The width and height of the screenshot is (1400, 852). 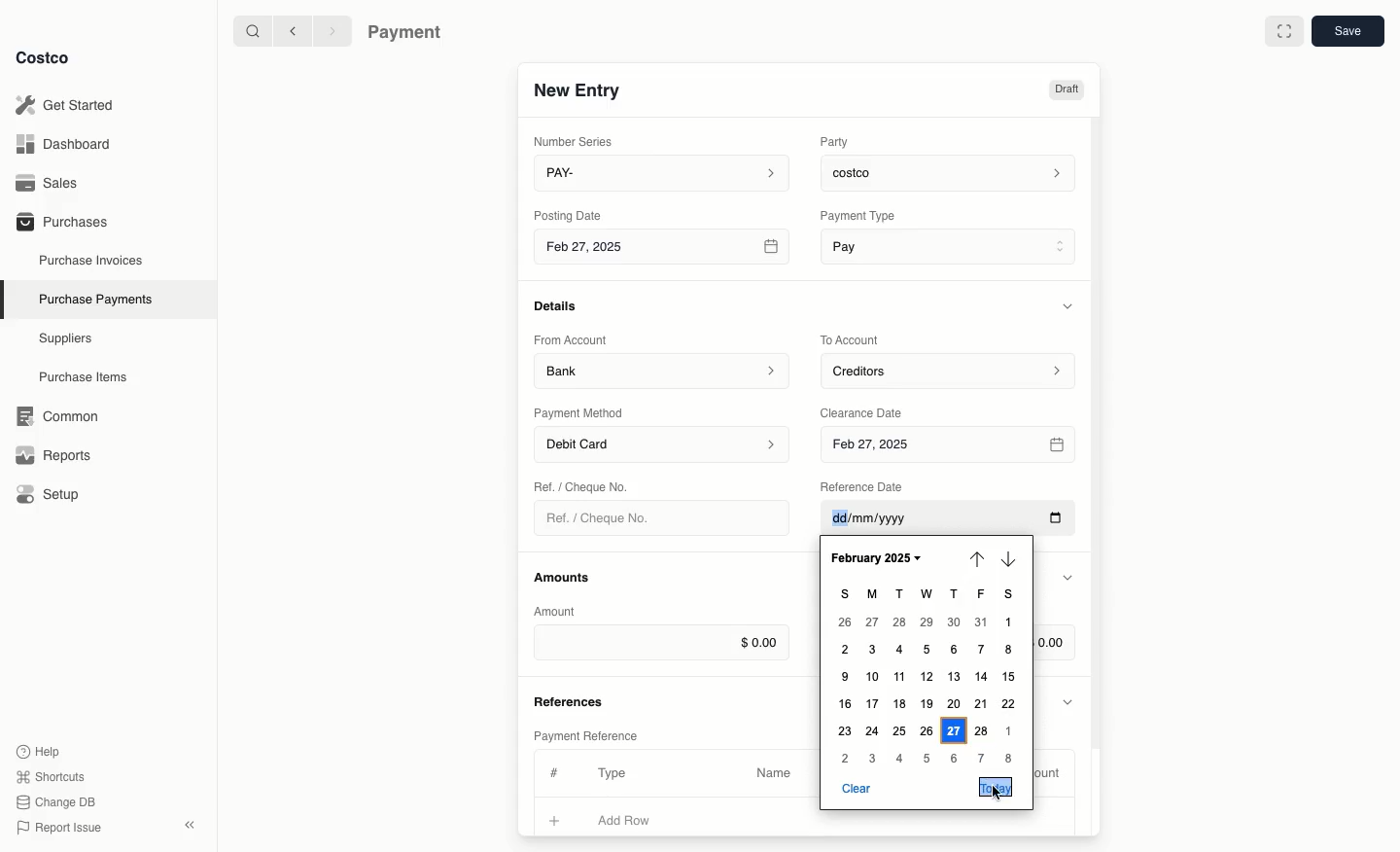 I want to click on ‘Reference Date, so click(x=863, y=486).